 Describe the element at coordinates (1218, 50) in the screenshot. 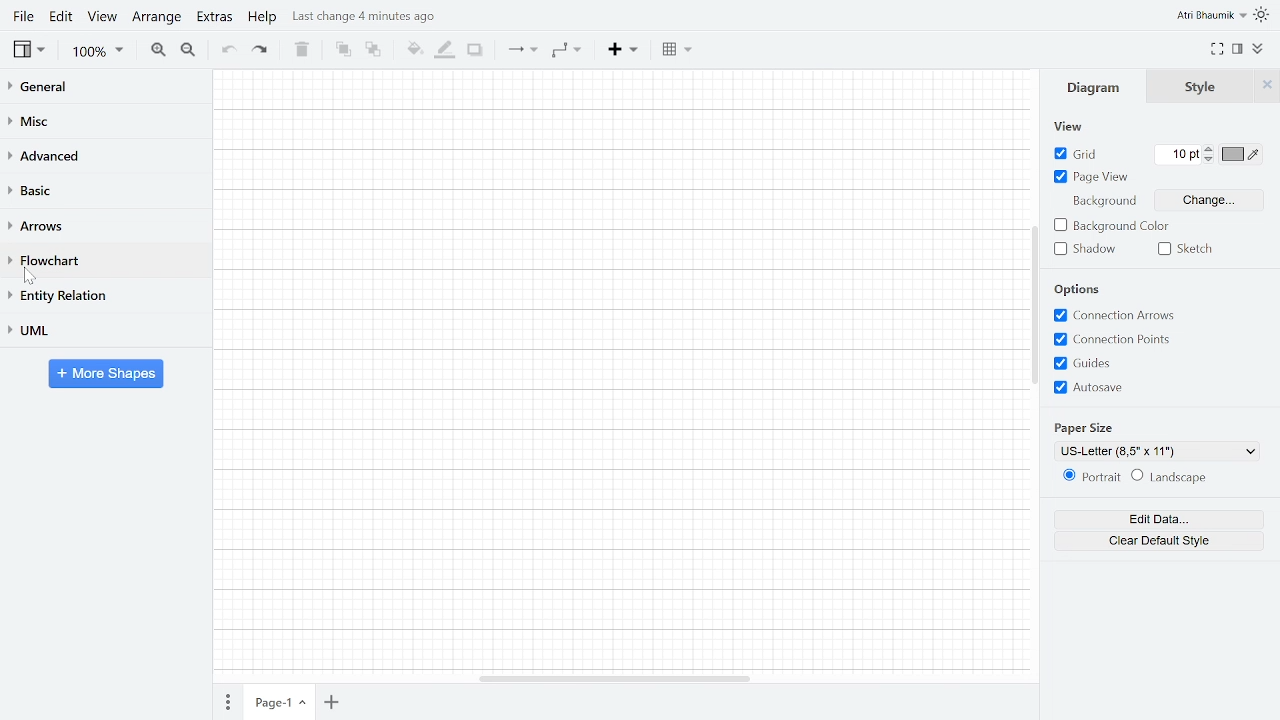

I see `Fullscreen` at that location.